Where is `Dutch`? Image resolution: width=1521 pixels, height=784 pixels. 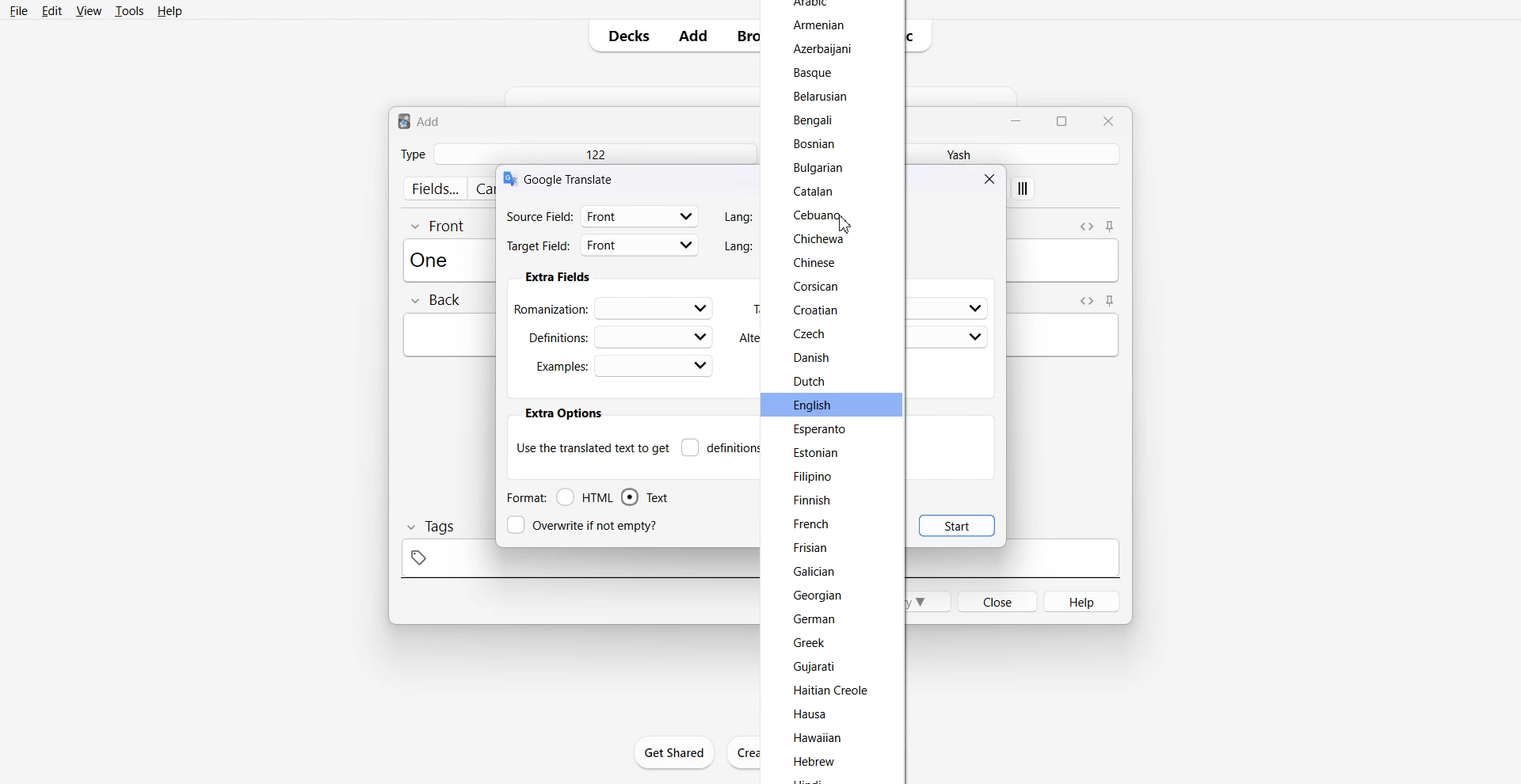 Dutch is located at coordinates (811, 382).